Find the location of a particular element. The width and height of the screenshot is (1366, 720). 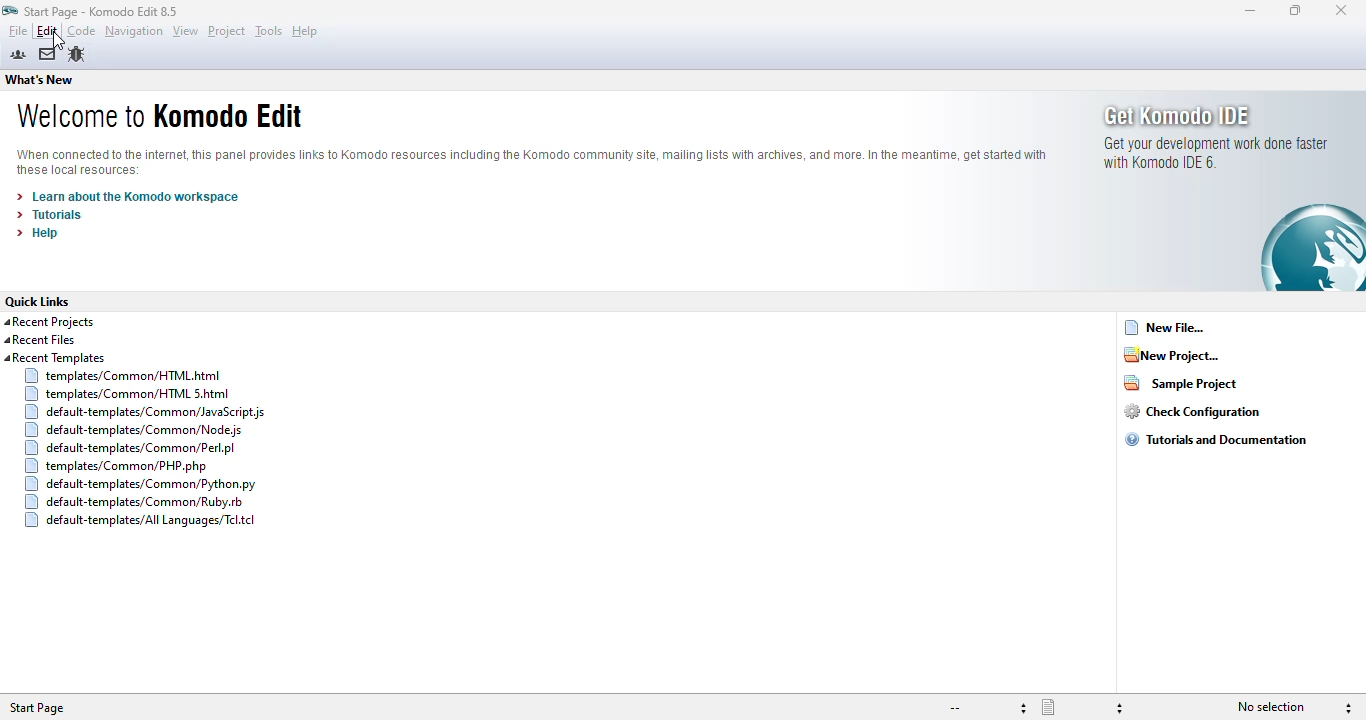

new file is located at coordinates (1165, 327).